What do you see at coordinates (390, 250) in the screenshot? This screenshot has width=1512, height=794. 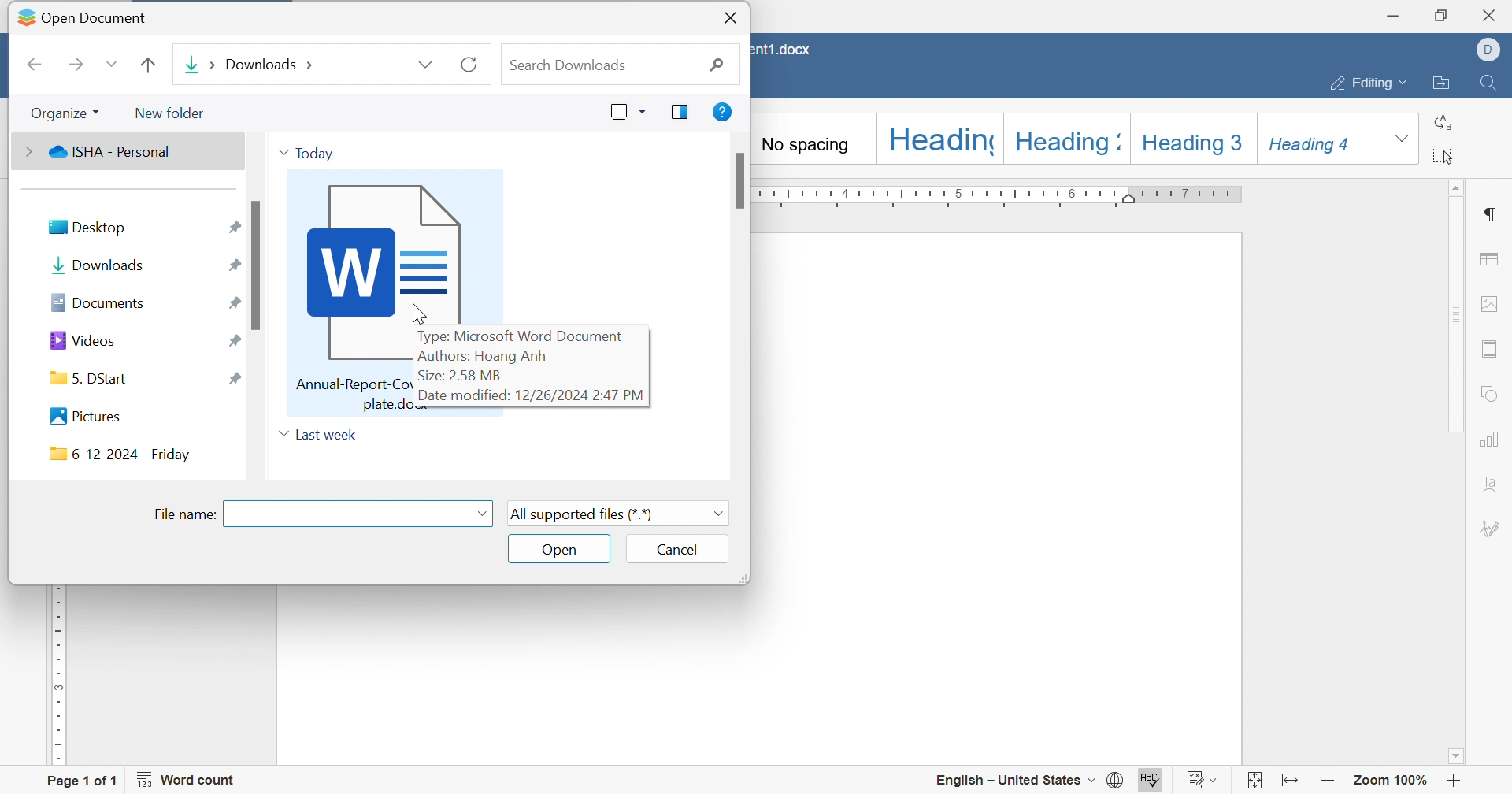 I see `image` at bounding box center [390, 250].